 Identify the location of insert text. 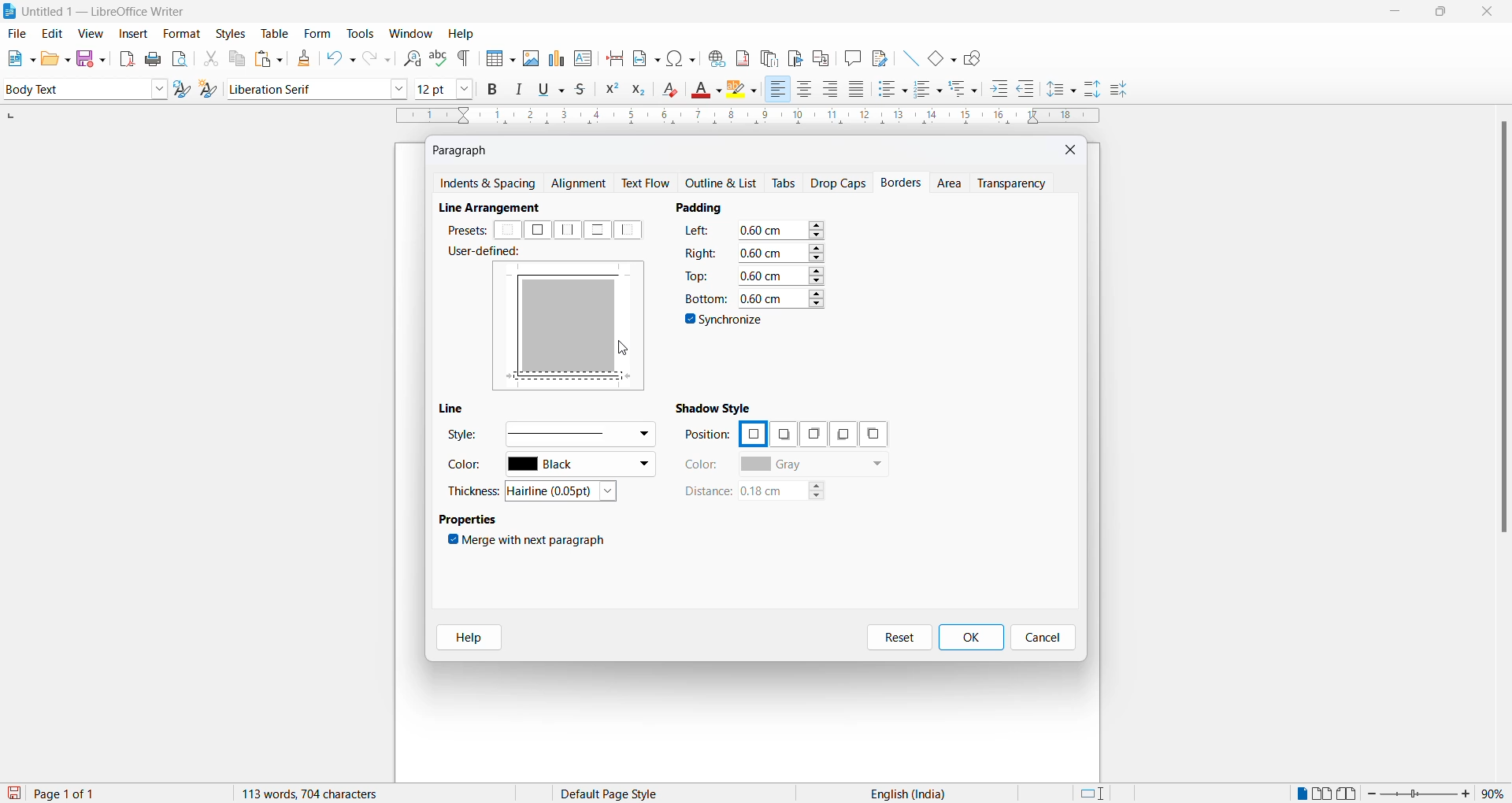
(584, 57).